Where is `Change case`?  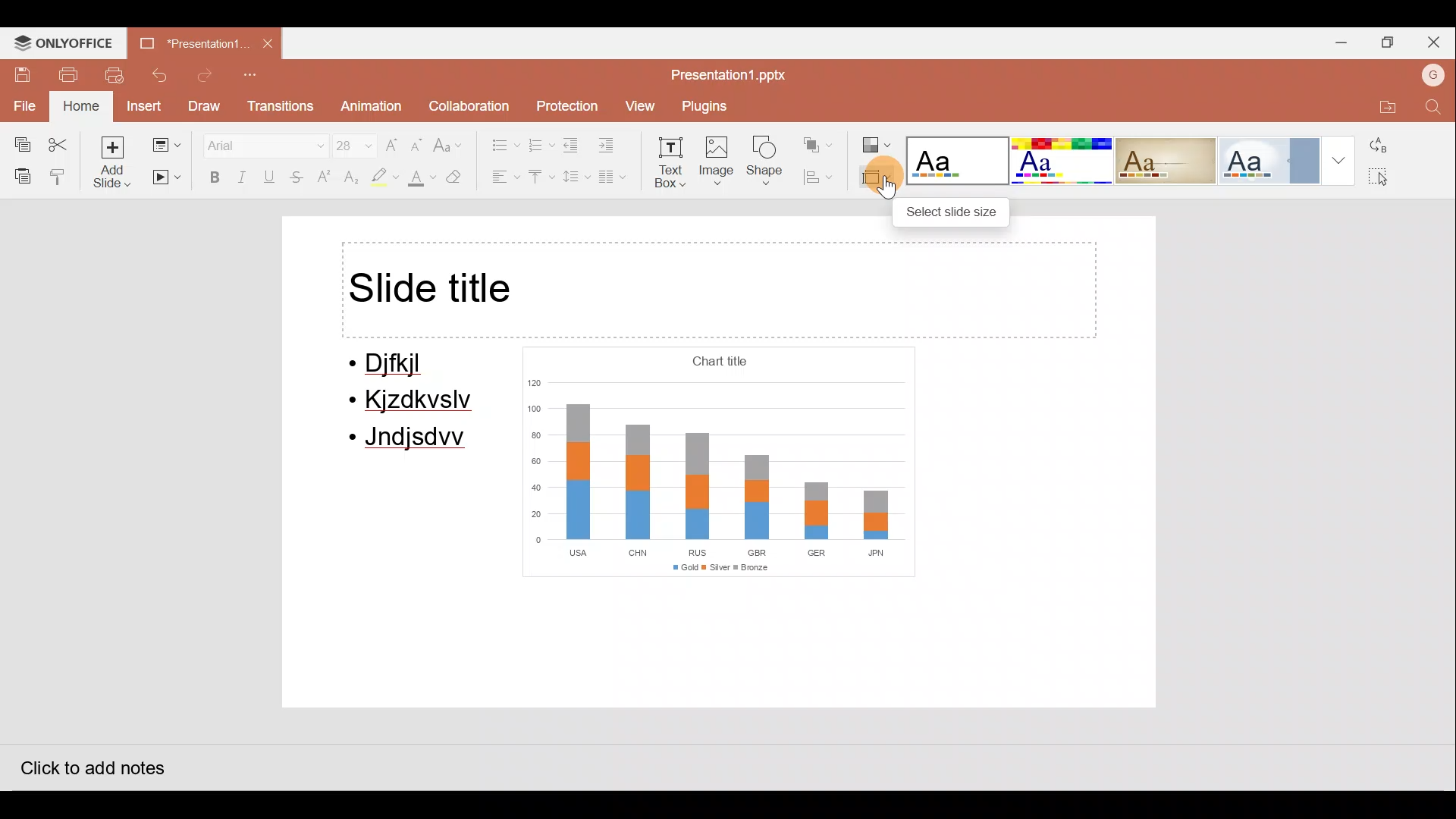 Change case is located at coordinates (451, 139).